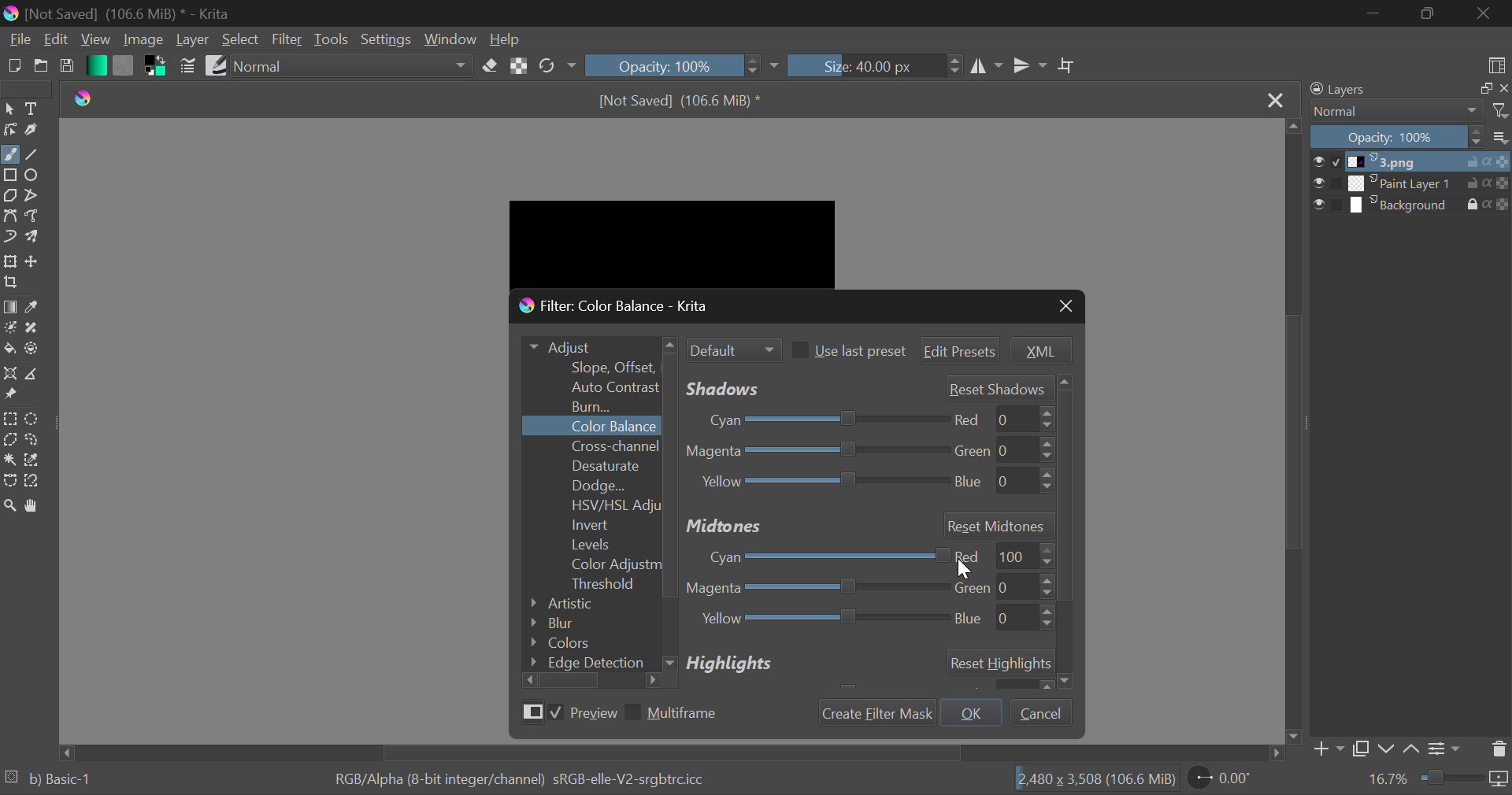  What do you see at coordinates (34, 417) in the screenshot?
I see `Circular Selection` at bounding box center [34, 417].